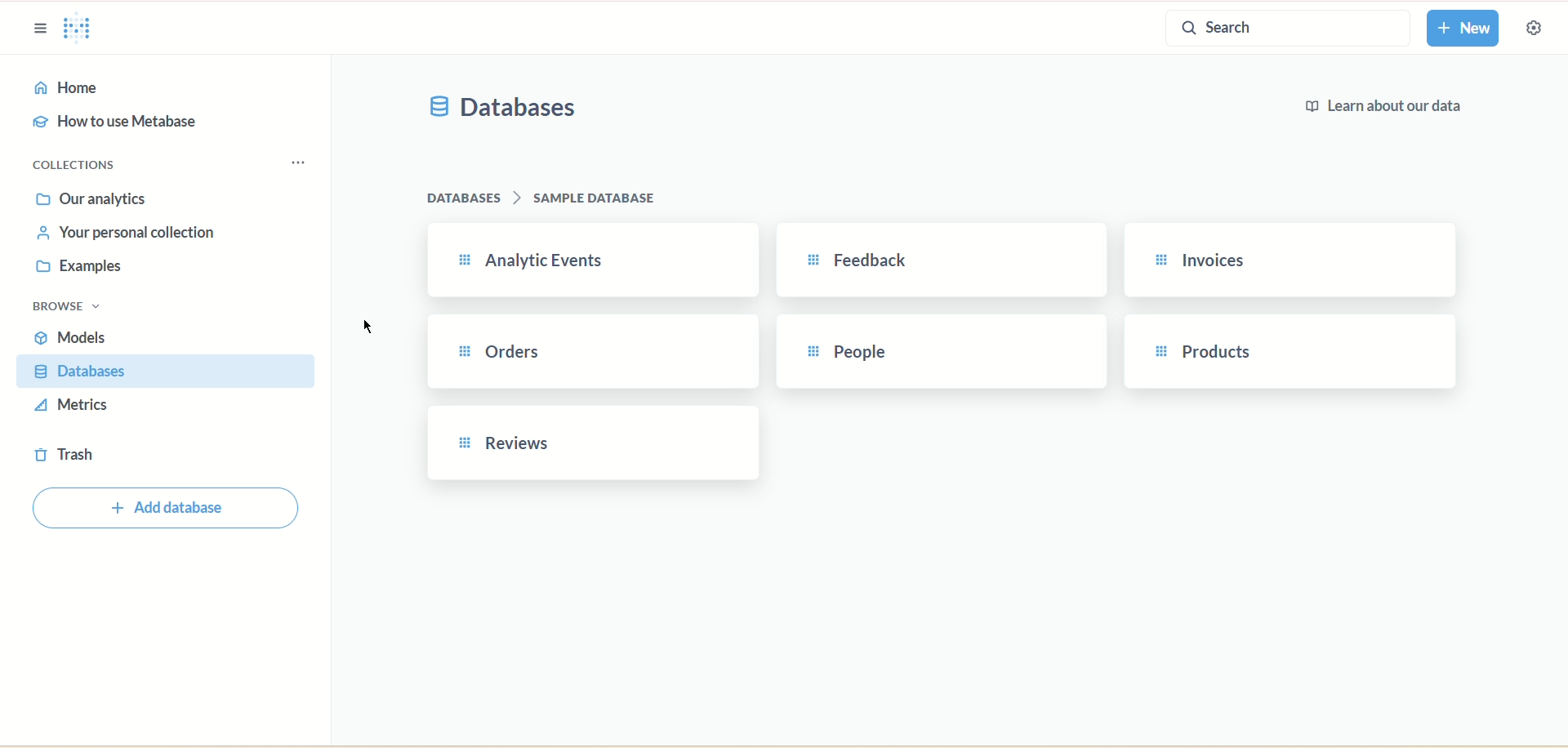 Image resolution: width=1568 pixels, height=748 pixels. Describe the element at coordinates (169, 510) in the screenshot. I see `add database` at that location.